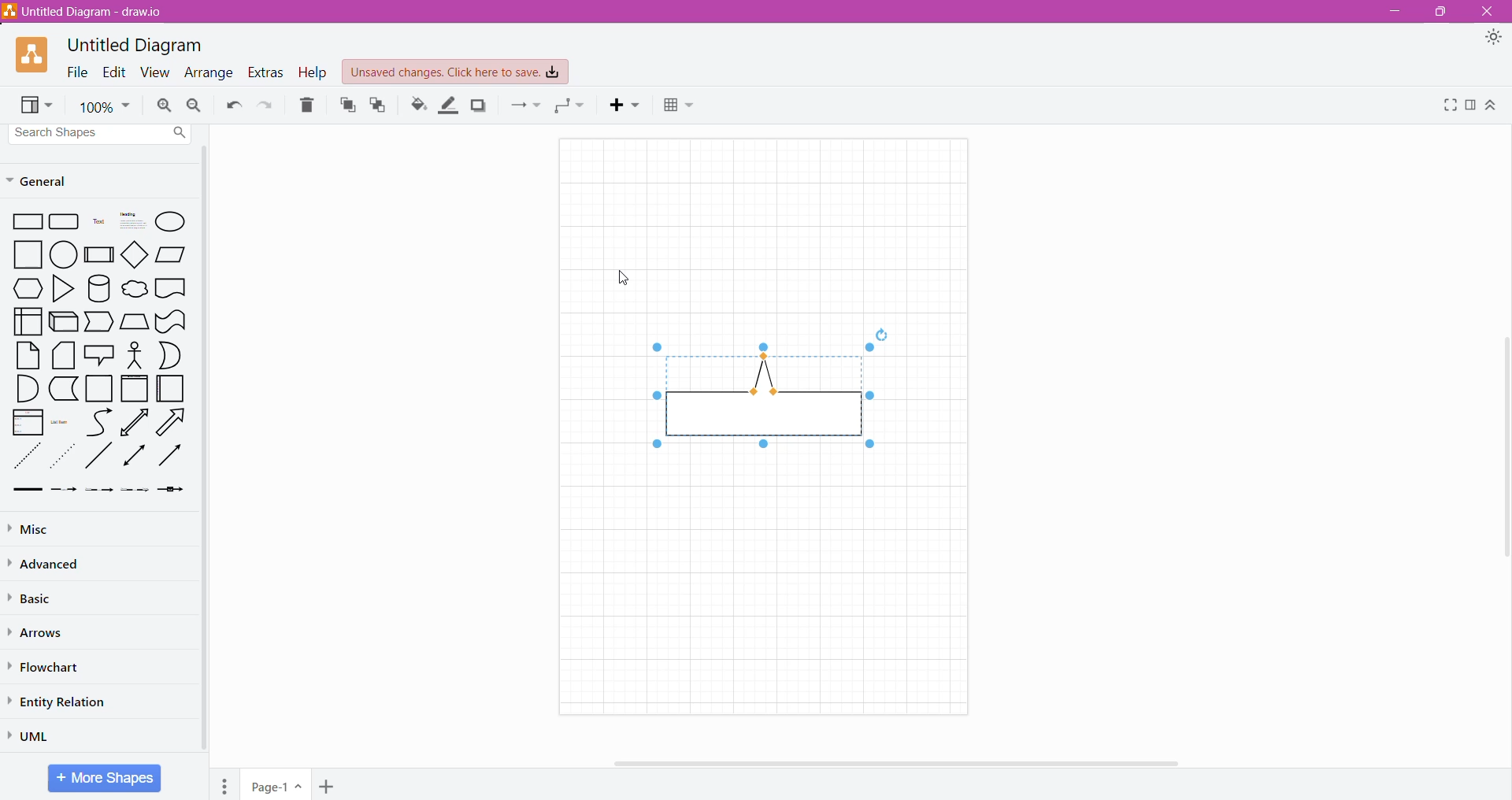 The image size is (1512, 800). I want to click on Cursor, so click(620, 278).